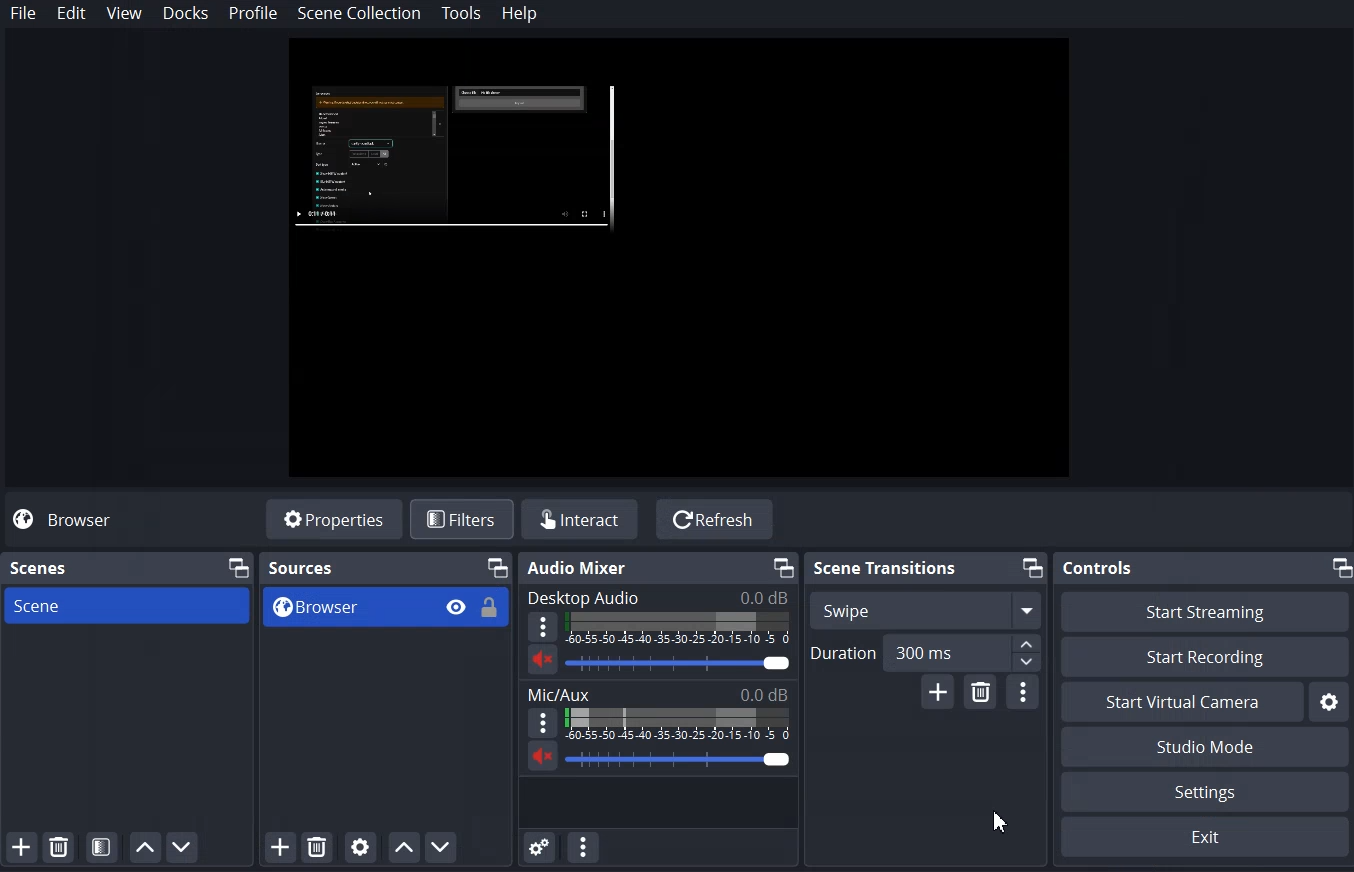 Image resolution: width=1354 pixels, height=872 pixels. Describe the element at coordinates (301, 568) in the screenshot. I see `Source` at that location.